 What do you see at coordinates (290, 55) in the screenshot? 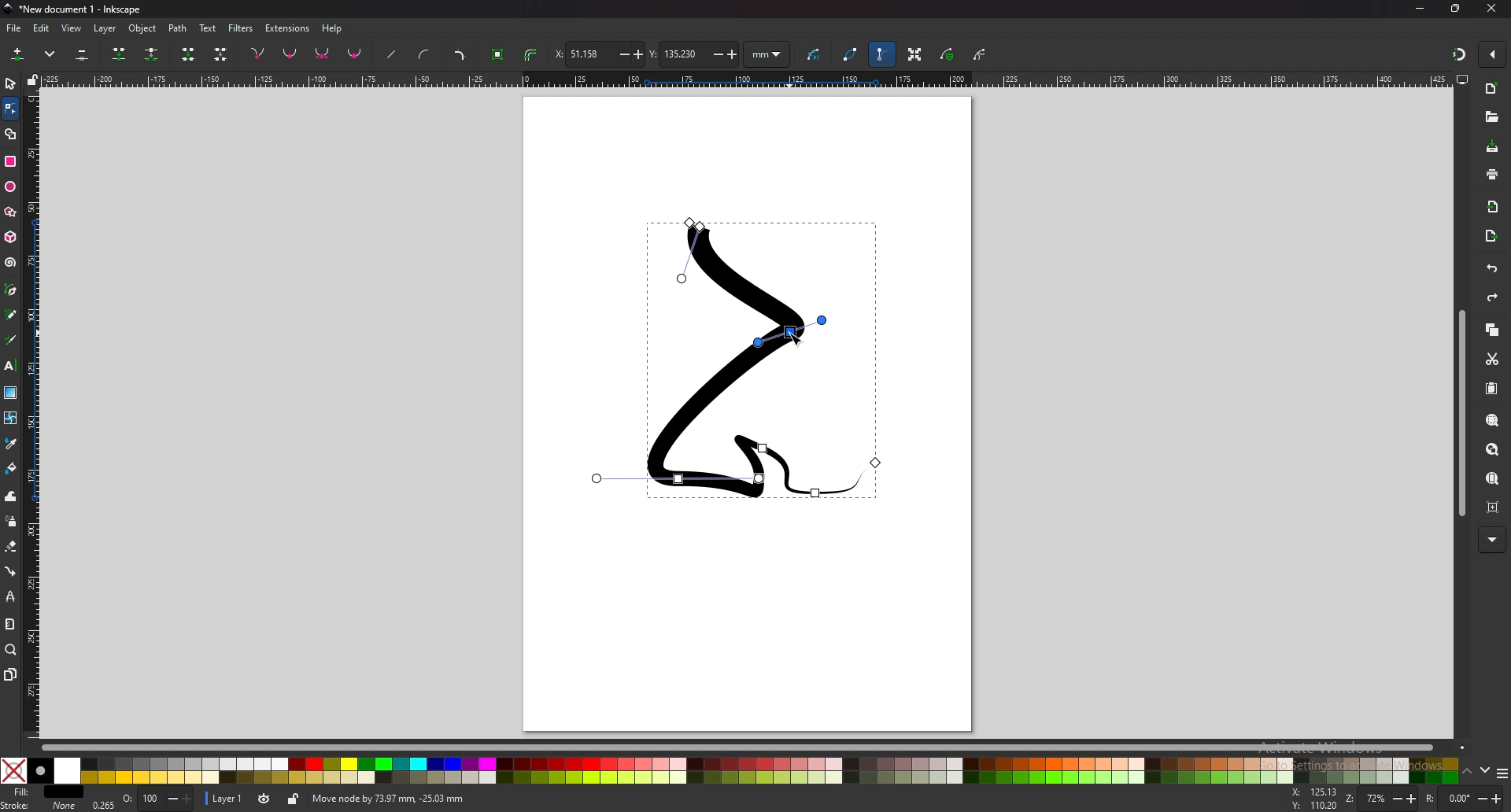
I see `smooth` at bounding box center [290, 55].